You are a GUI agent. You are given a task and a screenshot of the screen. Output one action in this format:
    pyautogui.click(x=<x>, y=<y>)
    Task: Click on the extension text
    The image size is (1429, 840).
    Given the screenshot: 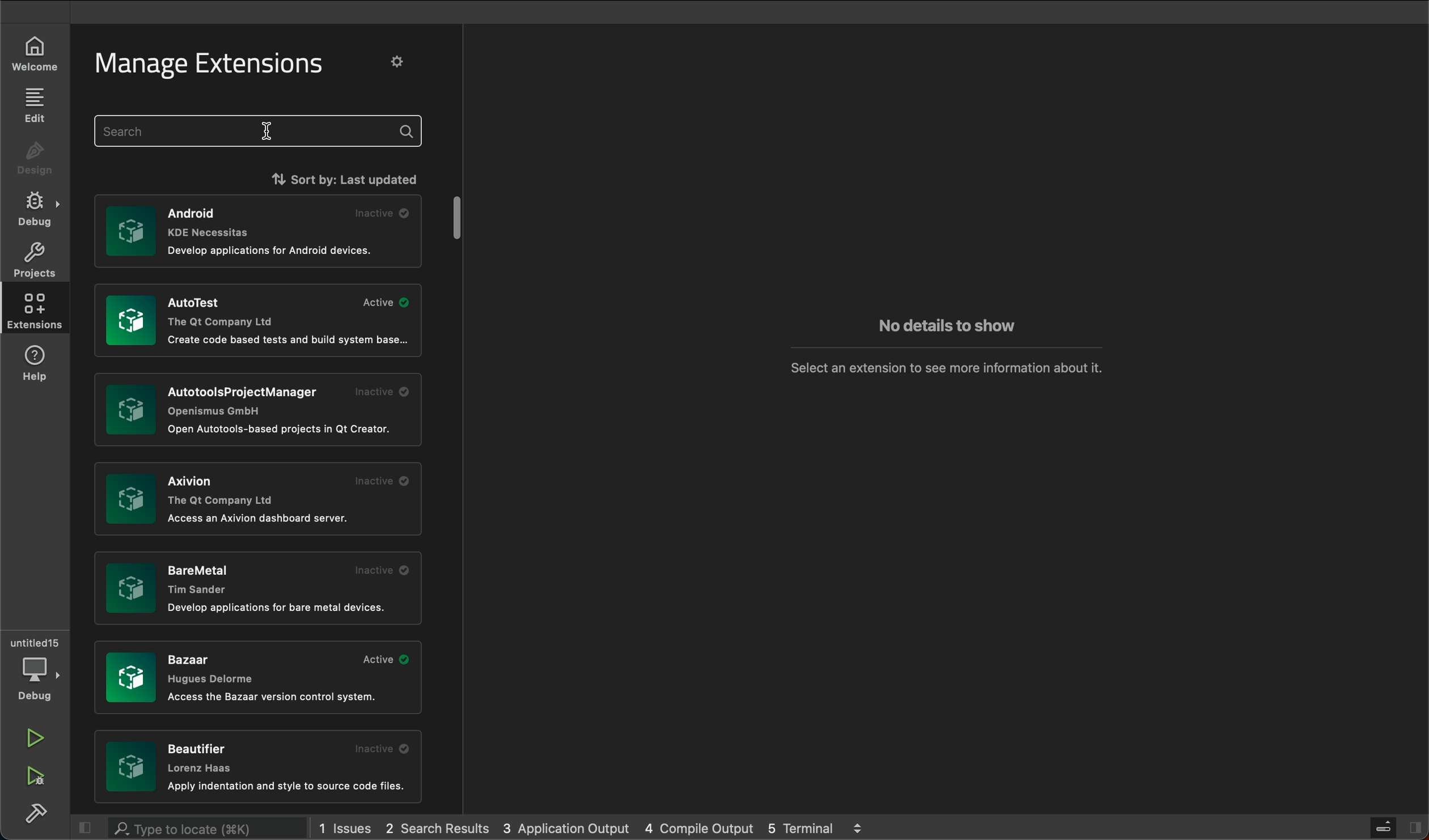 What is the action you would take?
    pyautogui.click(x=206, y=575)
    